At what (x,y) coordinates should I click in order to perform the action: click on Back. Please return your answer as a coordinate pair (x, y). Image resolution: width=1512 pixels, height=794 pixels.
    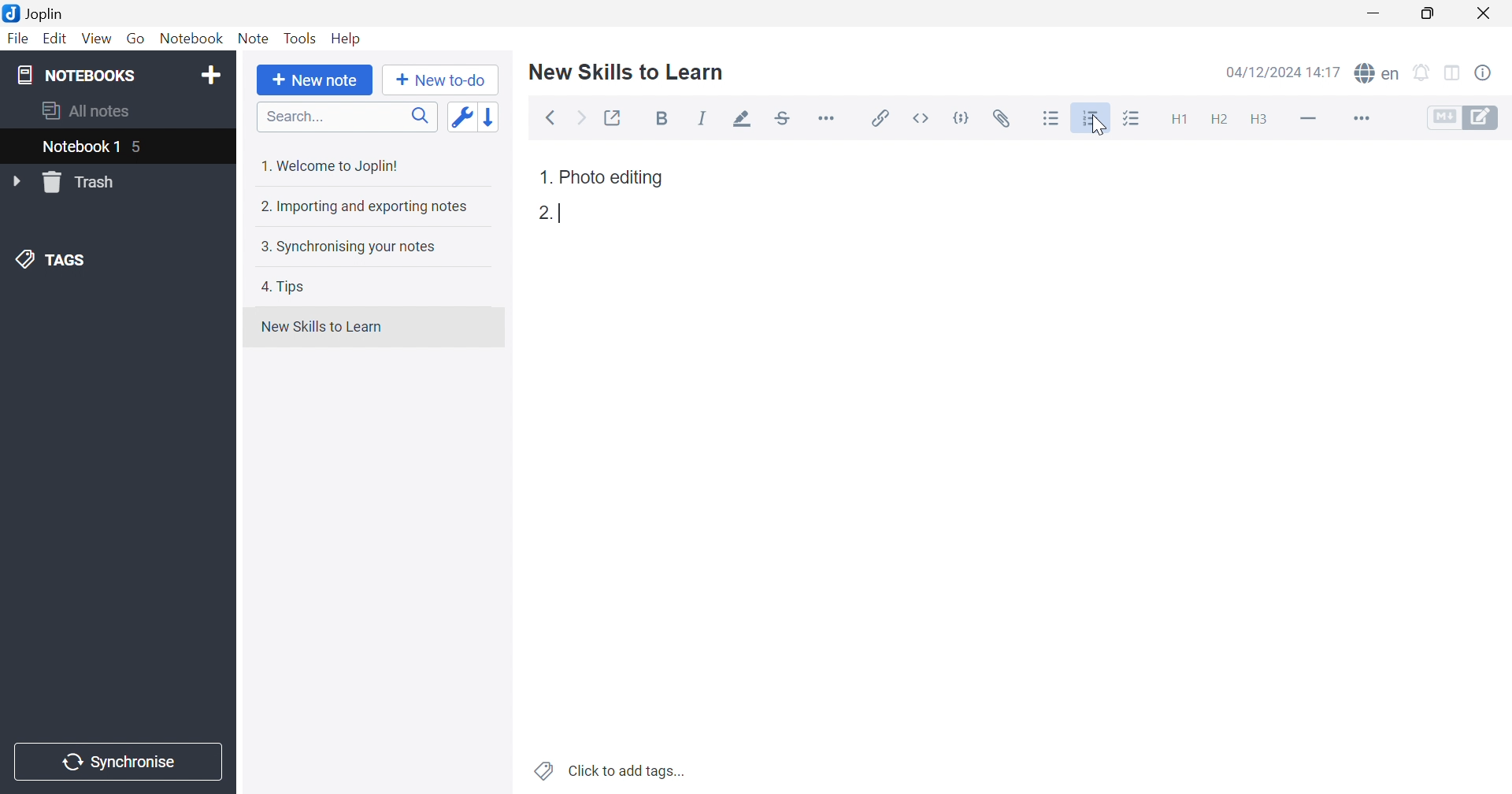
    Looking at the image, I should click on (550, 119).